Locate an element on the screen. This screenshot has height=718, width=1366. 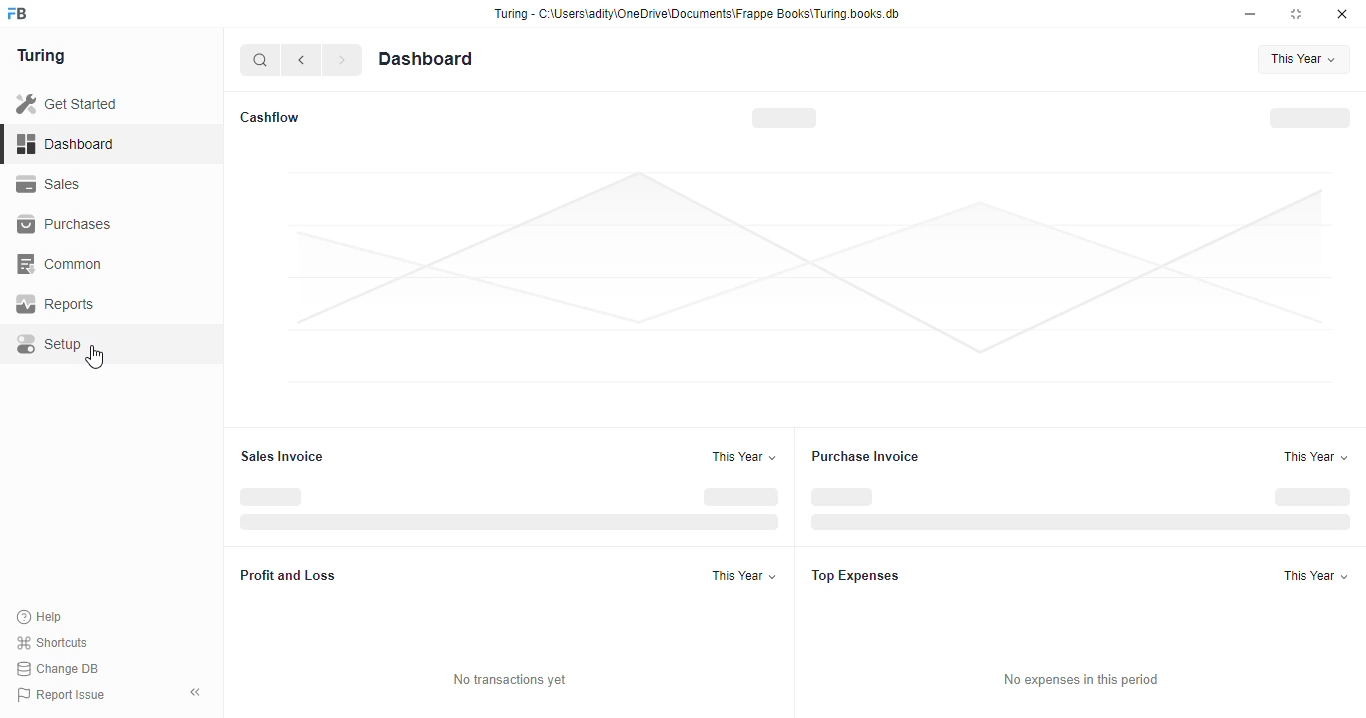
No transactions yet is located at coordinates (513, 681).